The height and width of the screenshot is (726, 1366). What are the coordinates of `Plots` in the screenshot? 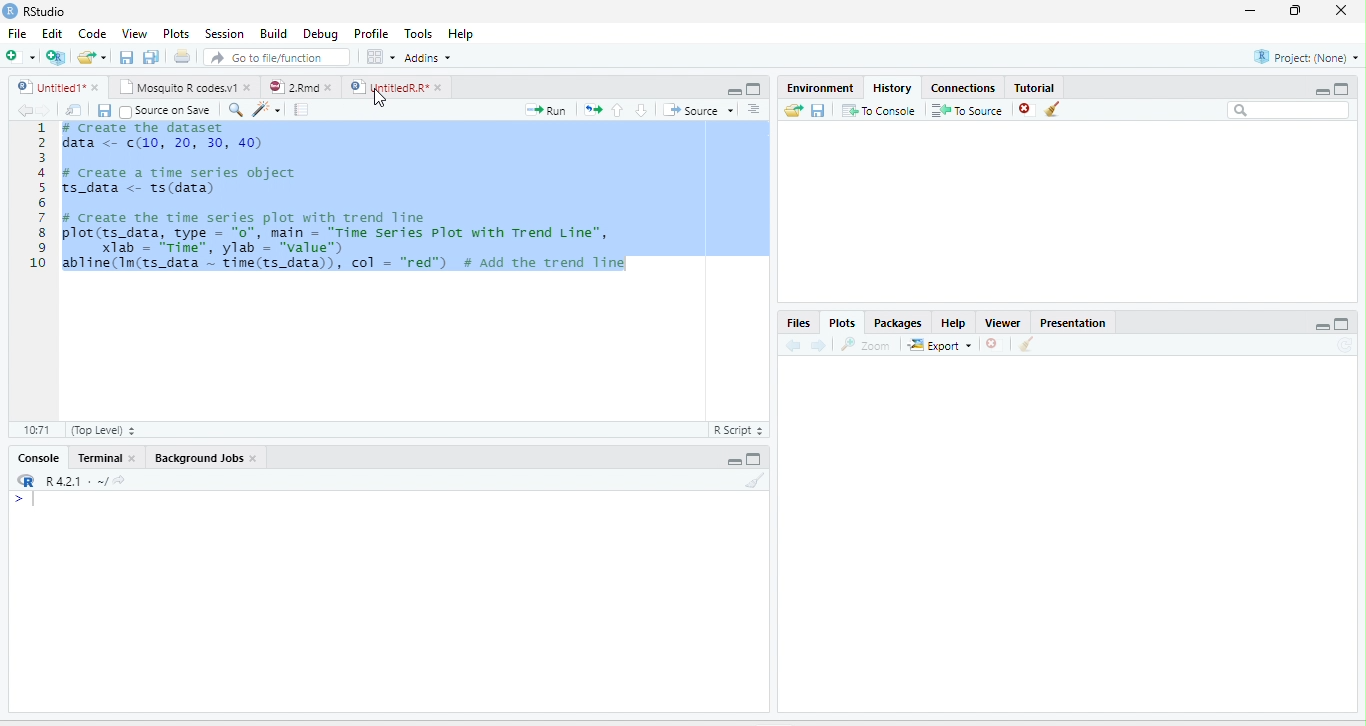 It's located at (841, 323).